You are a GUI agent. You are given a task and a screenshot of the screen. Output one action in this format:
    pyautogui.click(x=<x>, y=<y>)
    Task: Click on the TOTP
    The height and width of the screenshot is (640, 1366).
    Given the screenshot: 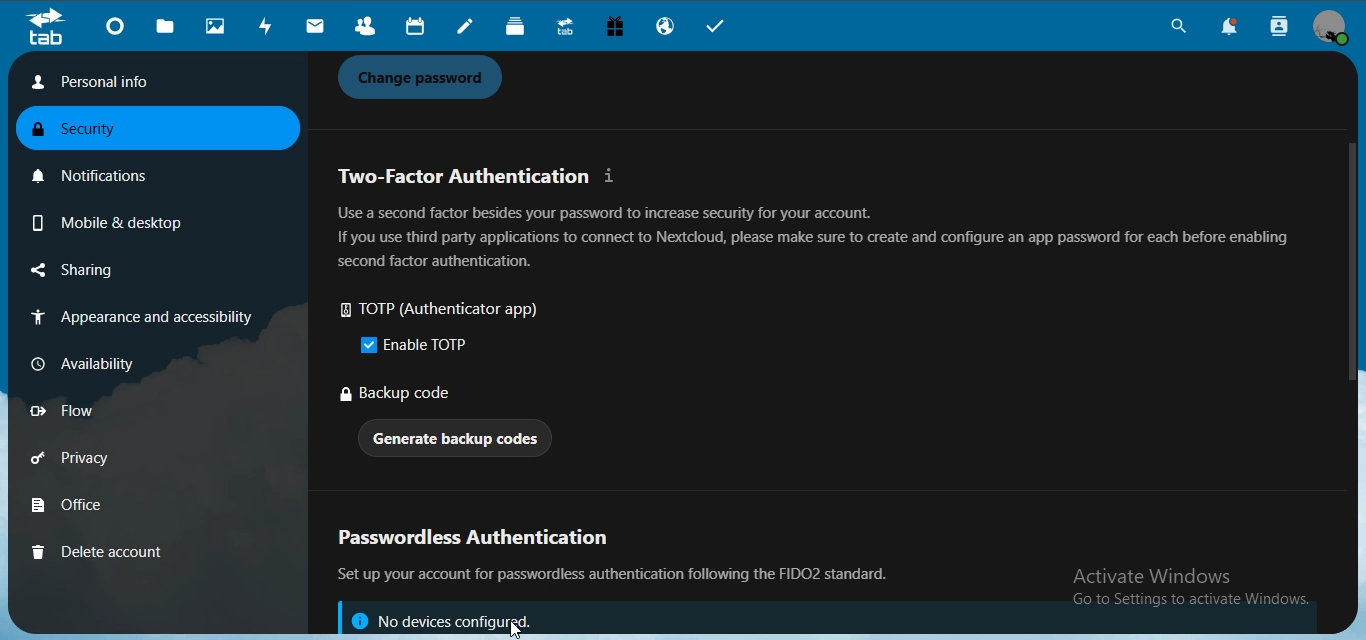 What is the action you would take?
    pyautogui.click(x=450, y=311)
    